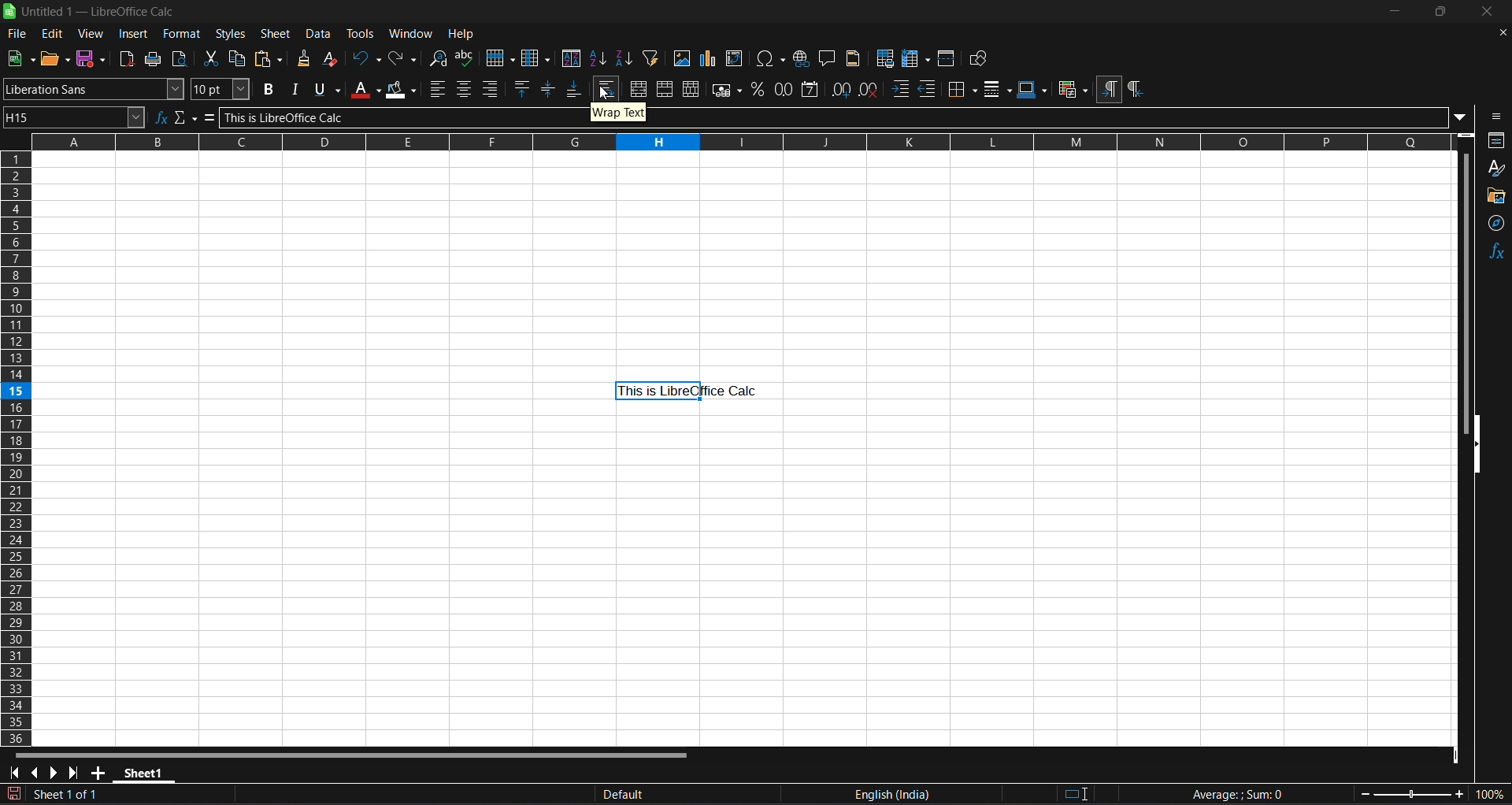 The height and width of the screenshot is (805, 1512). I want to click on row, so click(499, 57).